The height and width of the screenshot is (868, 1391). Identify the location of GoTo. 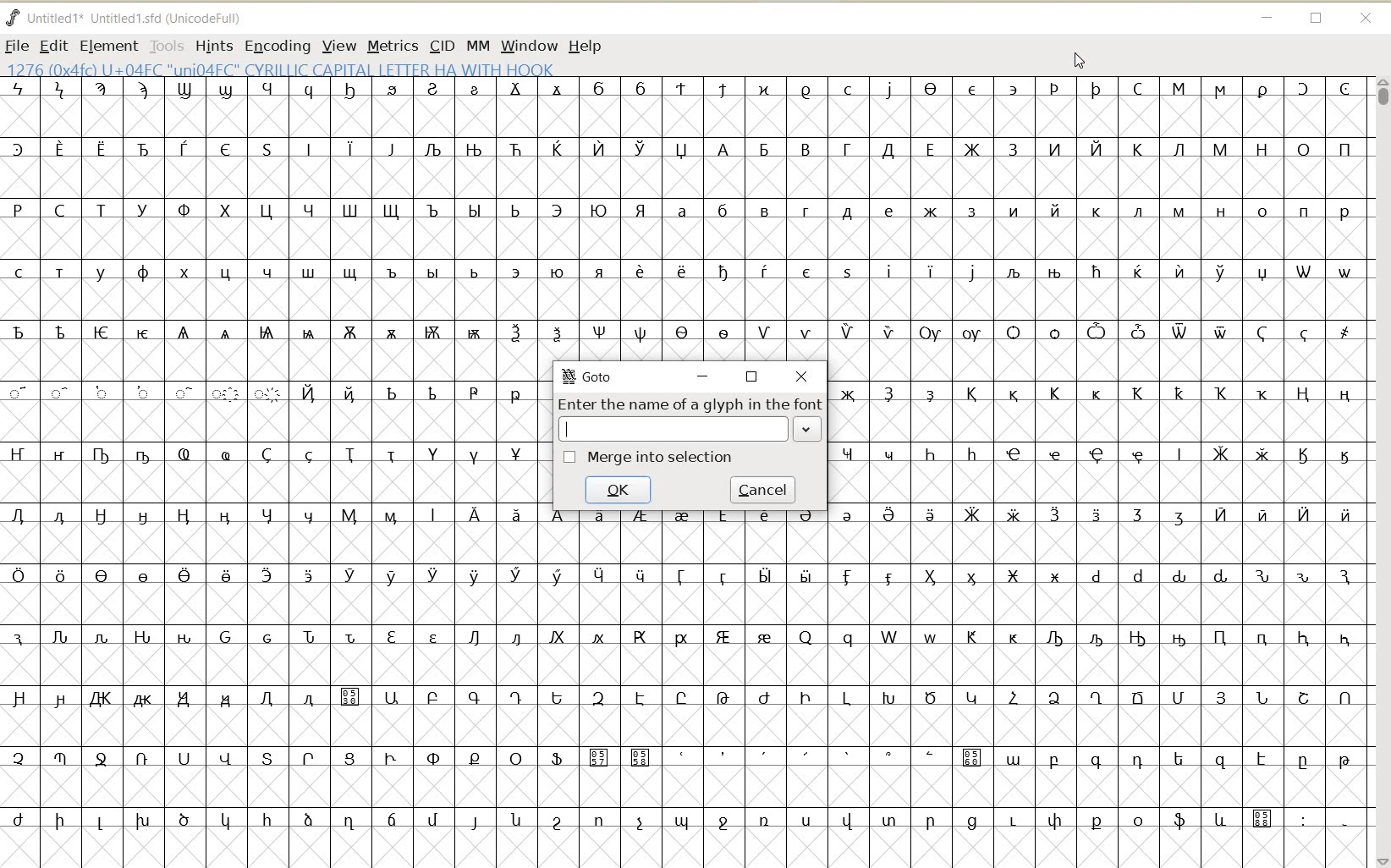
(590, 376).